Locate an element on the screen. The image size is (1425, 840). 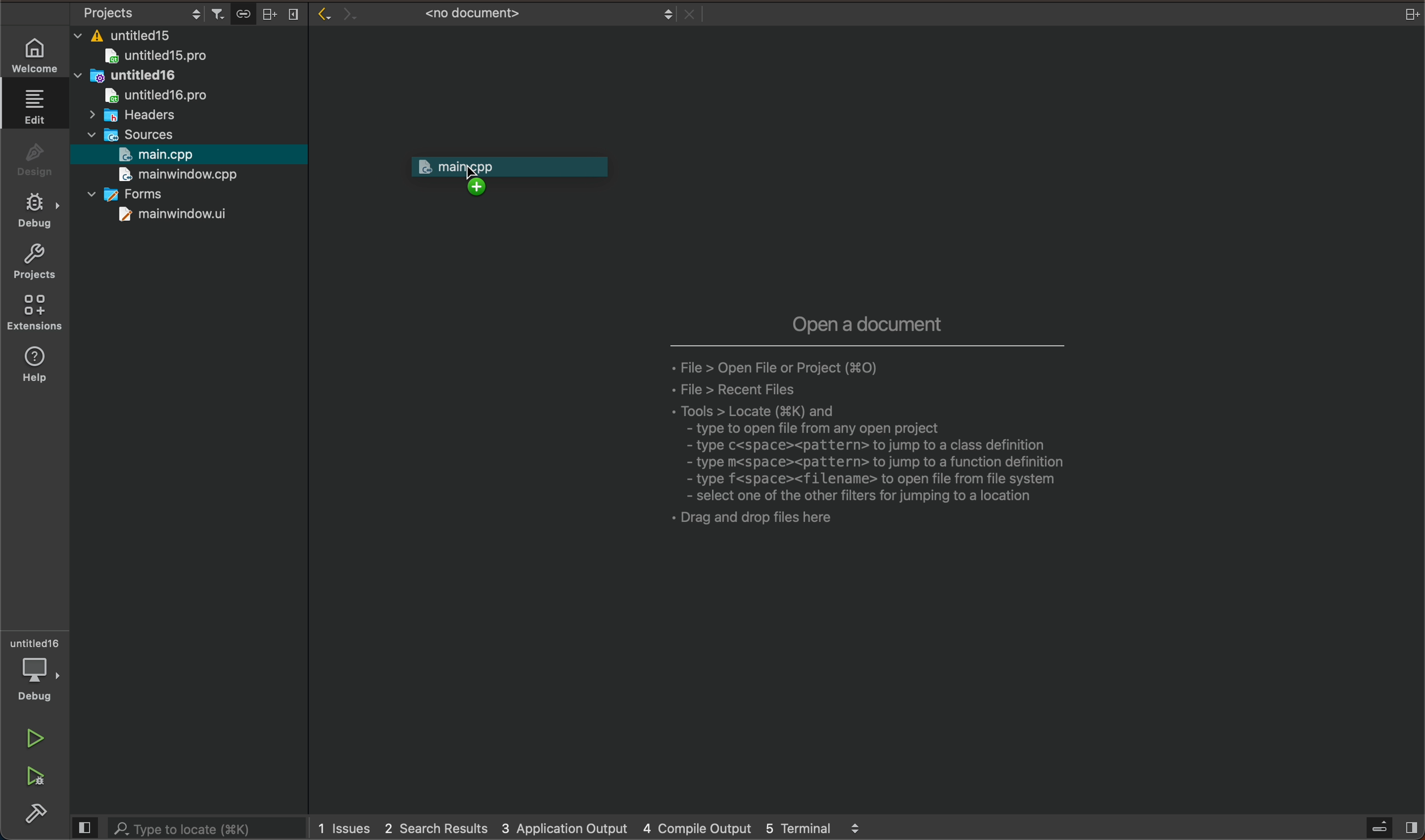
forms is located at coordinates (144, 196).